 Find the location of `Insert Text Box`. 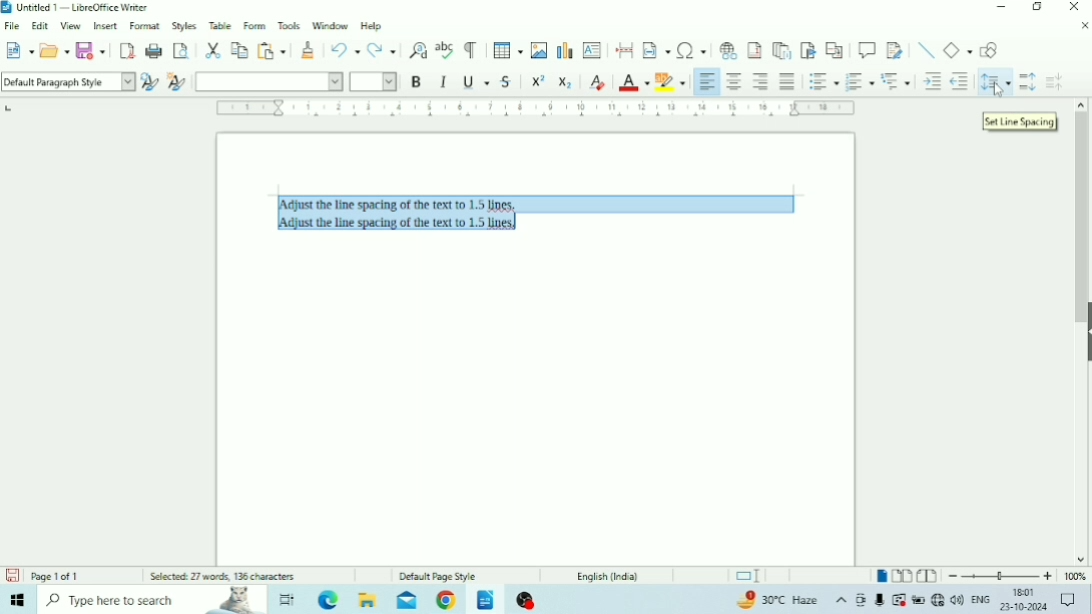

Insert Text Box is located at coordinates (593, 50).